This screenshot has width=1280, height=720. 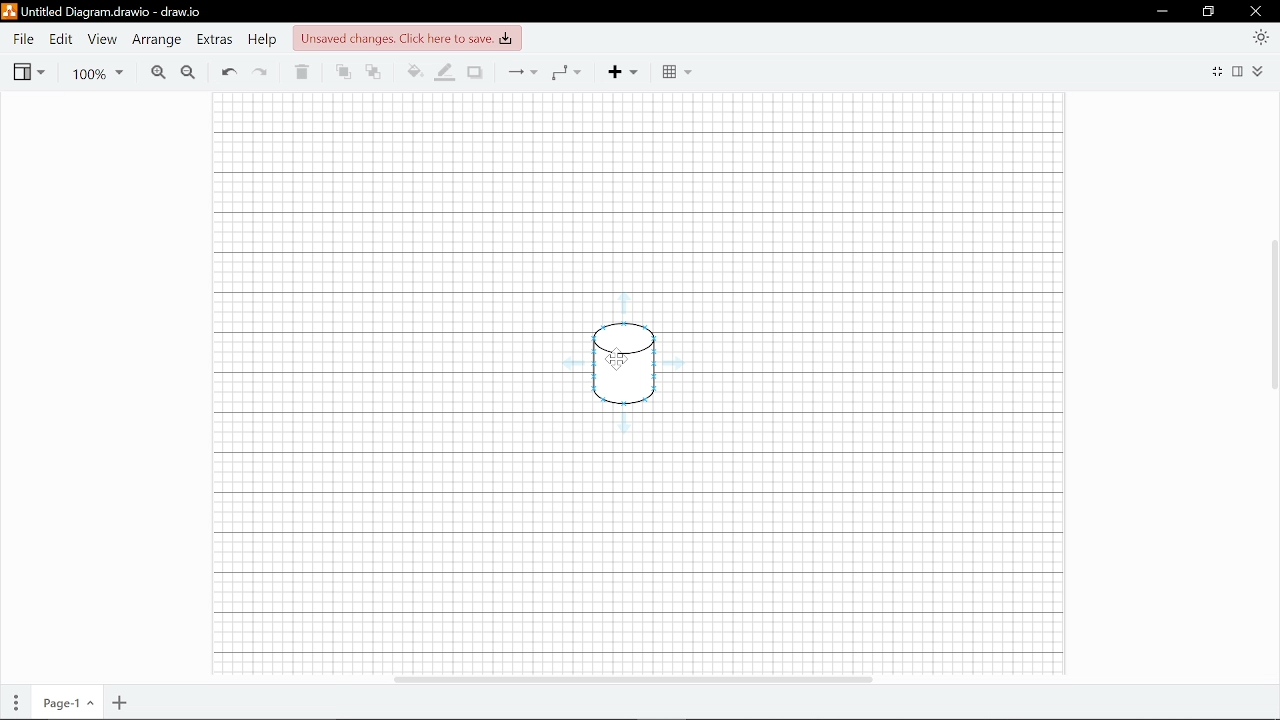 What do you see at coordinates (96, 72) in the screenshot?
I see `Zoom` at bounding box center [96, 72].